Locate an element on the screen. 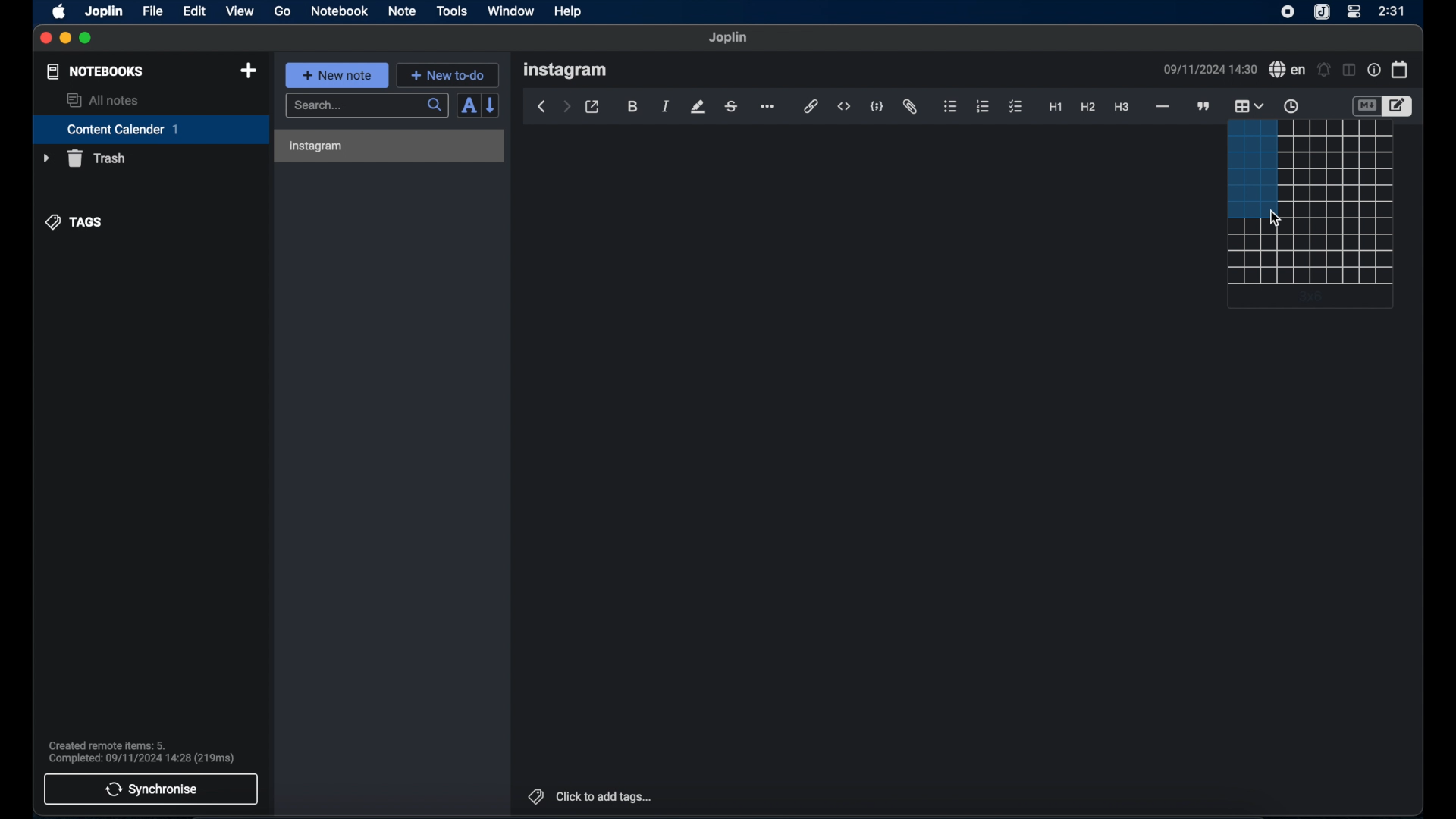 Image resolution: width=1456 pixels, height=819 pixels. view is located at coordinates (240, 11).